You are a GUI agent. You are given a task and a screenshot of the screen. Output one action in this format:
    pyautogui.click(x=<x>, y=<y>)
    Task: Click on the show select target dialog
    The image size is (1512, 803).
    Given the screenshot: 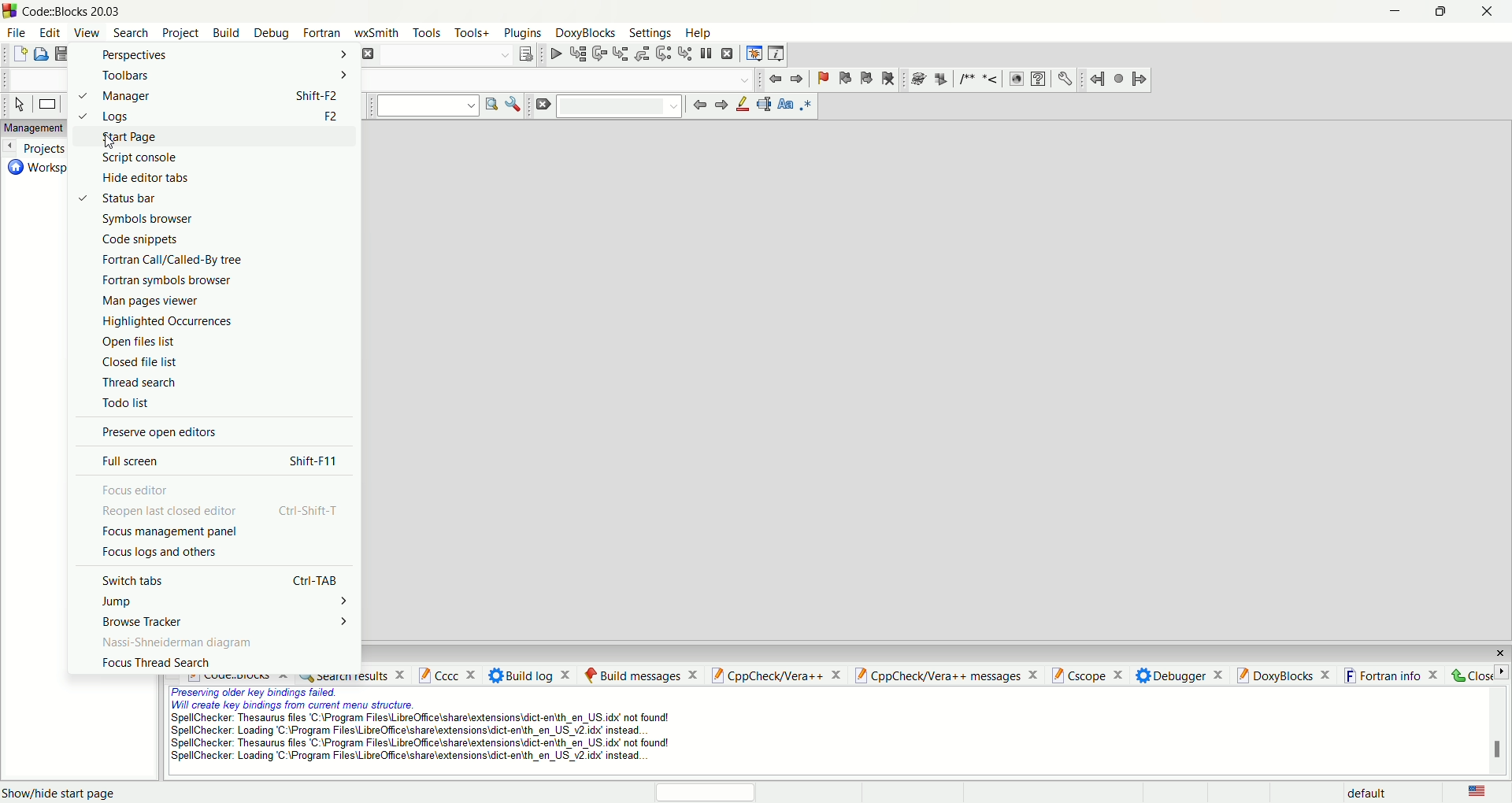 What is the action you would take?
    pyautogui.click(x=525, y=55)
    